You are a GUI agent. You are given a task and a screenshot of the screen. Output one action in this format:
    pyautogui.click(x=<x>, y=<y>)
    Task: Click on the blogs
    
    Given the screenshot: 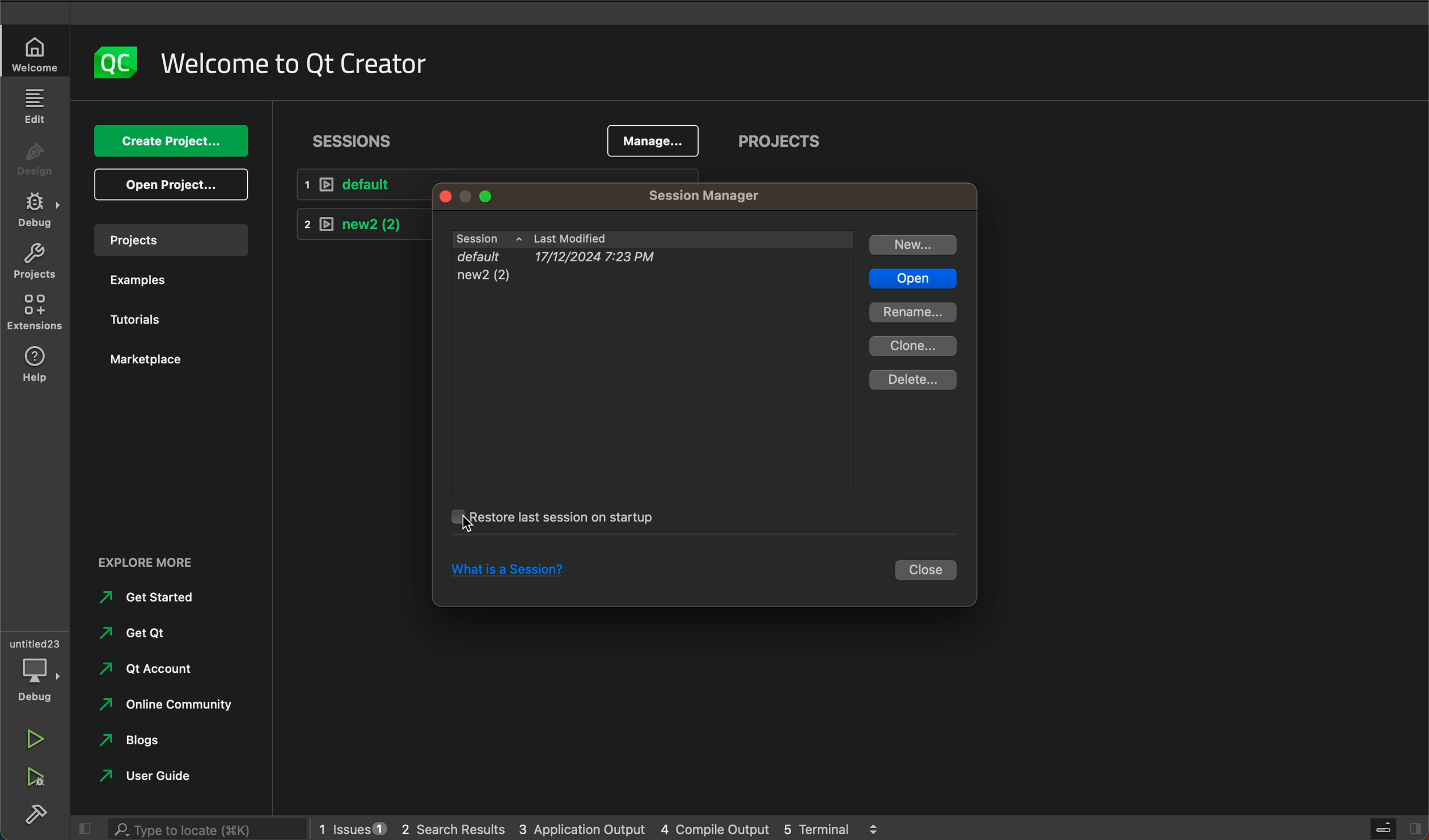 What is the action you would take?
    pyautogui.click(x=133, y=740)
    